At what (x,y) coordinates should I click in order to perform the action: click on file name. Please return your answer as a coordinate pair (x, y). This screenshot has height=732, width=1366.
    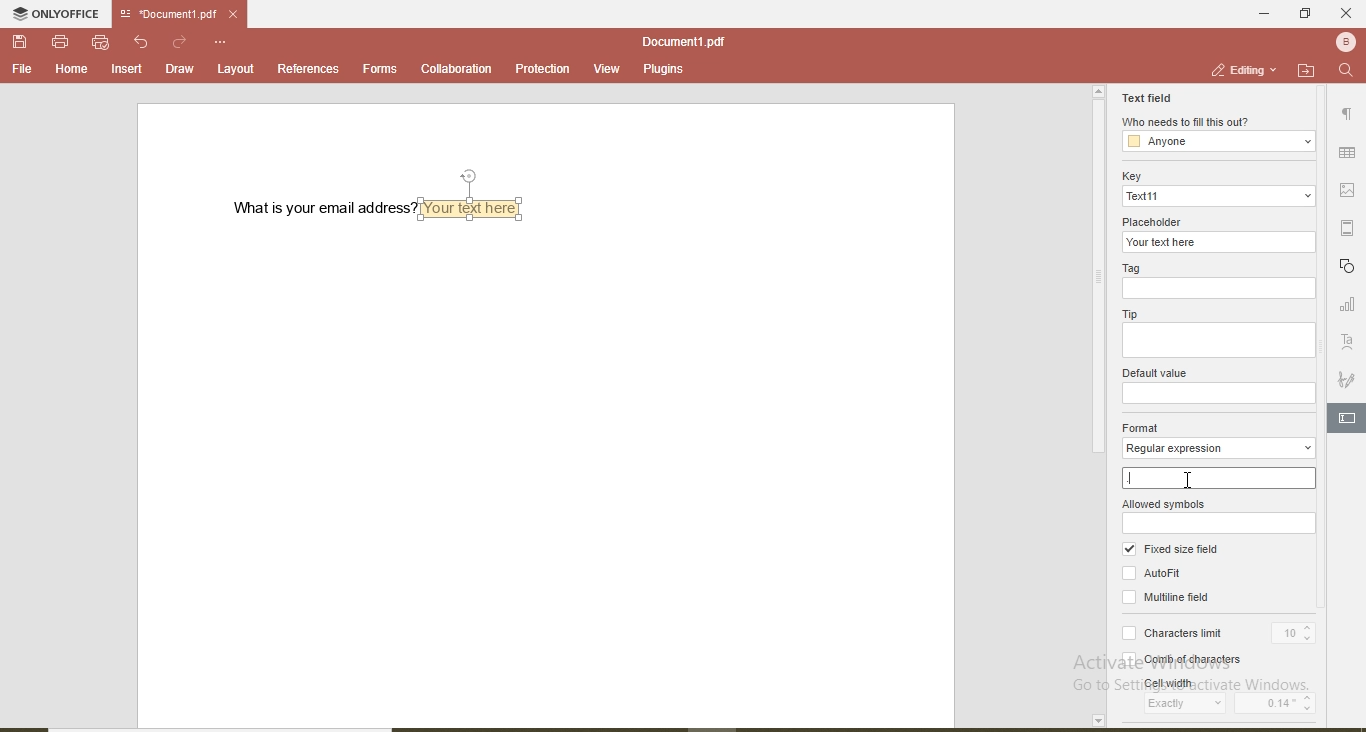
    Looking at the image, I should click on (164, 15).